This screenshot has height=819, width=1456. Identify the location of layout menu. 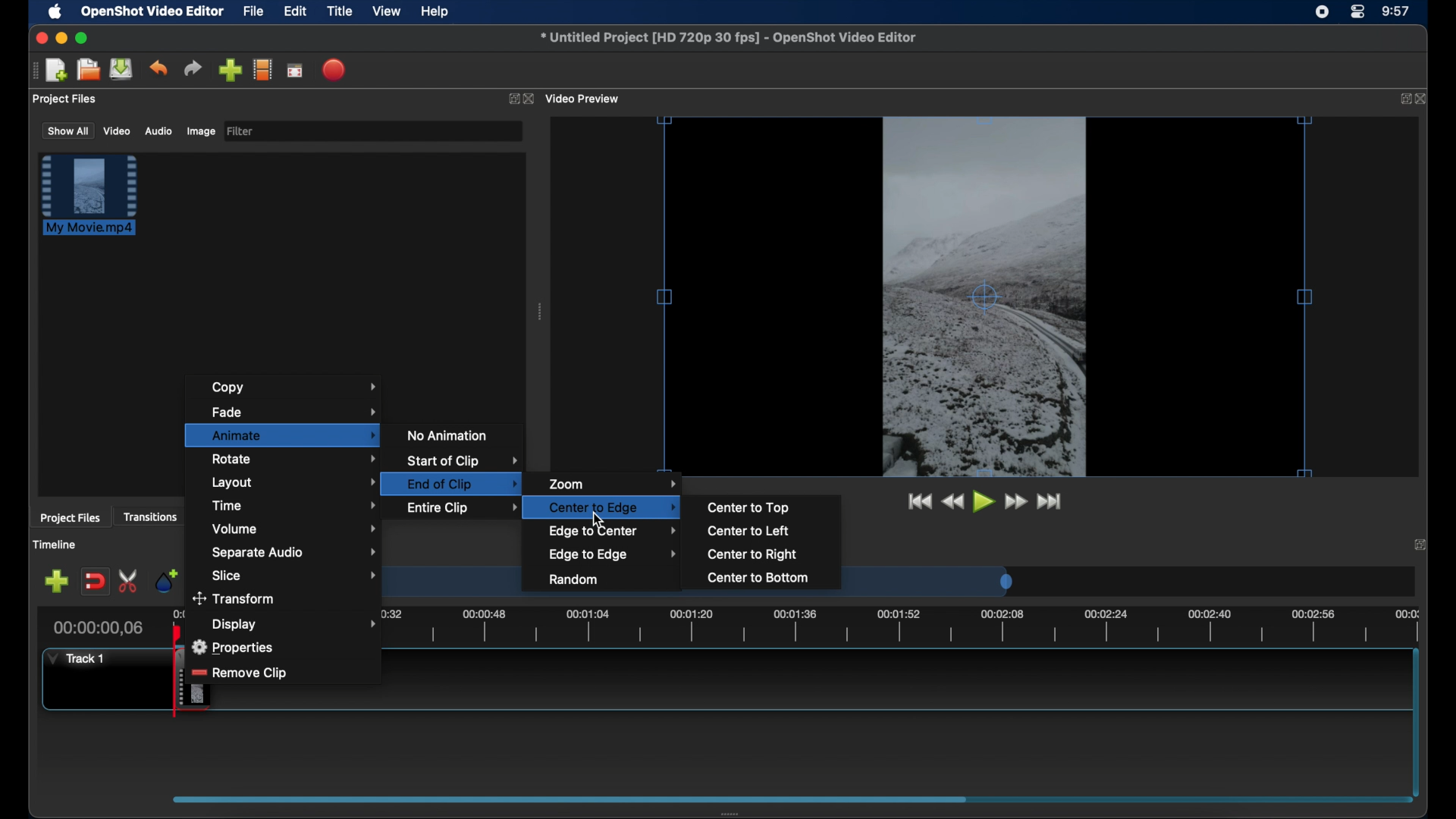
(294, 483).